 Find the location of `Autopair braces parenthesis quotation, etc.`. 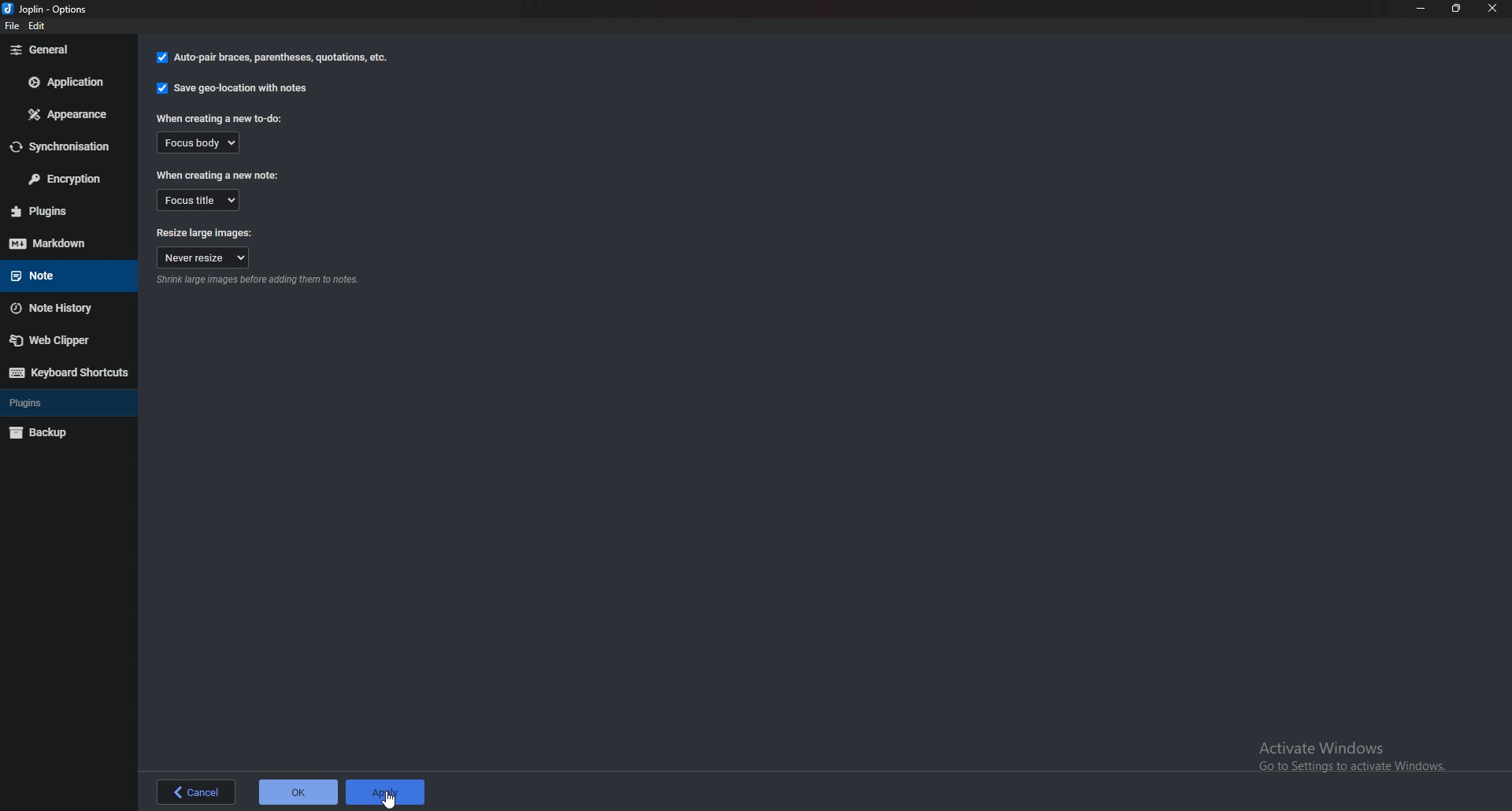

Autopair braces parenthesis quotation, etc. is located at coordinates (272, 59).